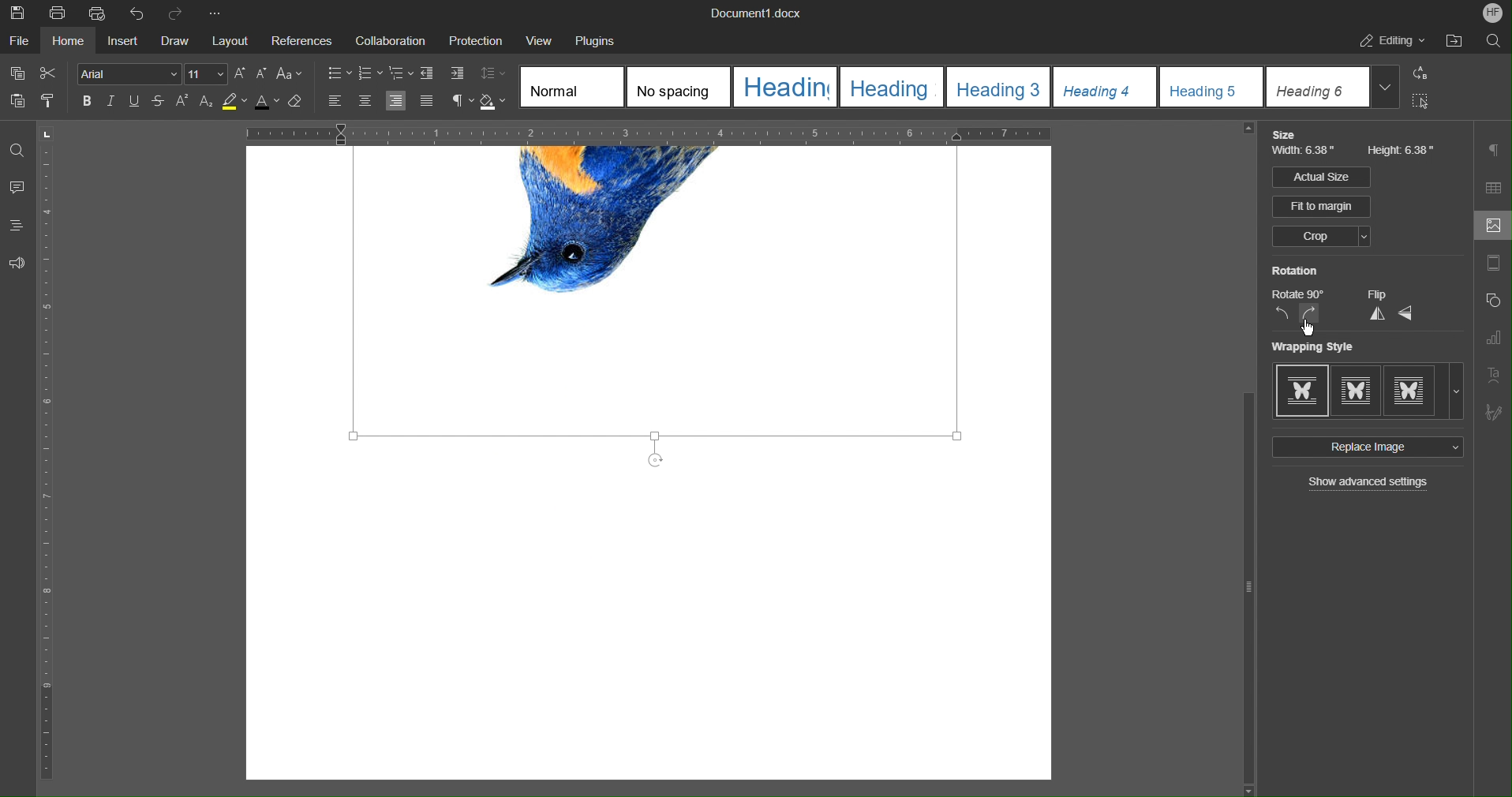 Image resolution: width=1512 pixels, height=797 pixels. What do you see at coordinates (1297, 294) in the screenshot?
I see `Rotate 90 degrees` at bounding box center [1297, 294].